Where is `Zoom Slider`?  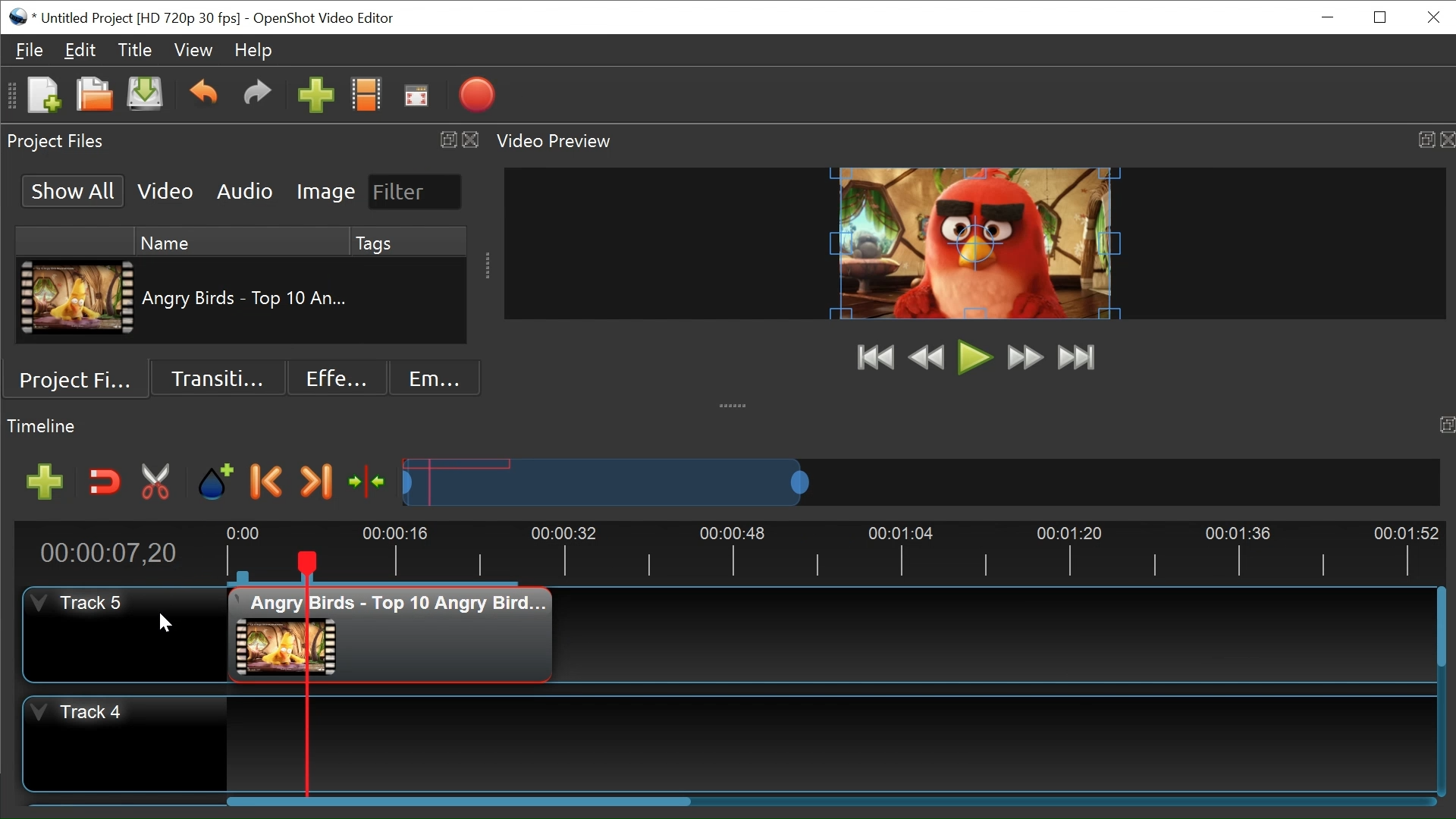 Zoom Slider is located at coordinates (921, 481).